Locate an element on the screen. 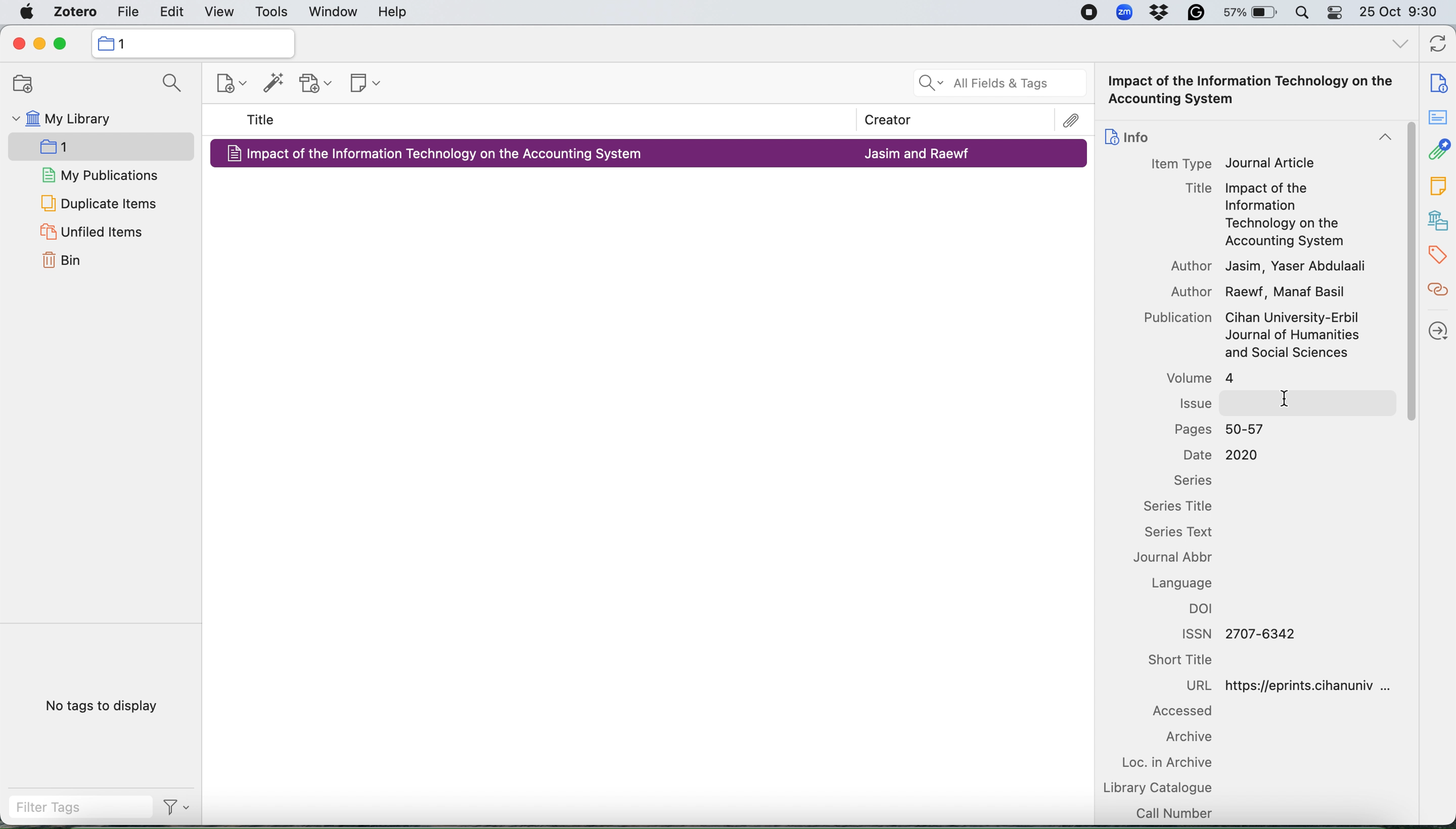 The image size is (1456, 829). All fields & Tags is located at coordinates (998, 84).